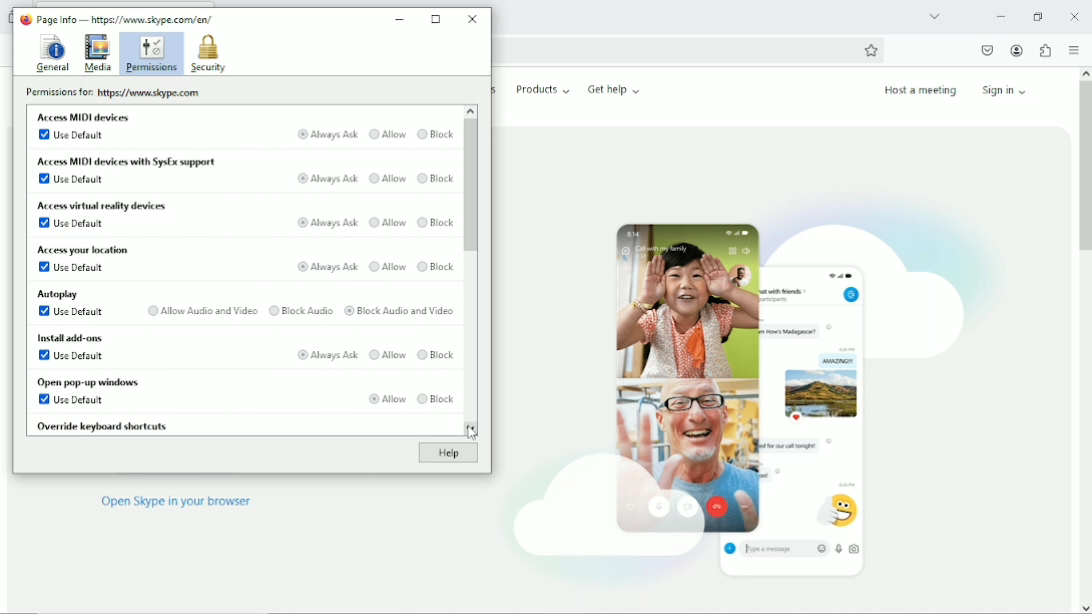 This screenshot has width=1092, height=614. What do you see at coordinates (446, 454) in the screenshot?
I see `Help` at bounding box center [446, 454].